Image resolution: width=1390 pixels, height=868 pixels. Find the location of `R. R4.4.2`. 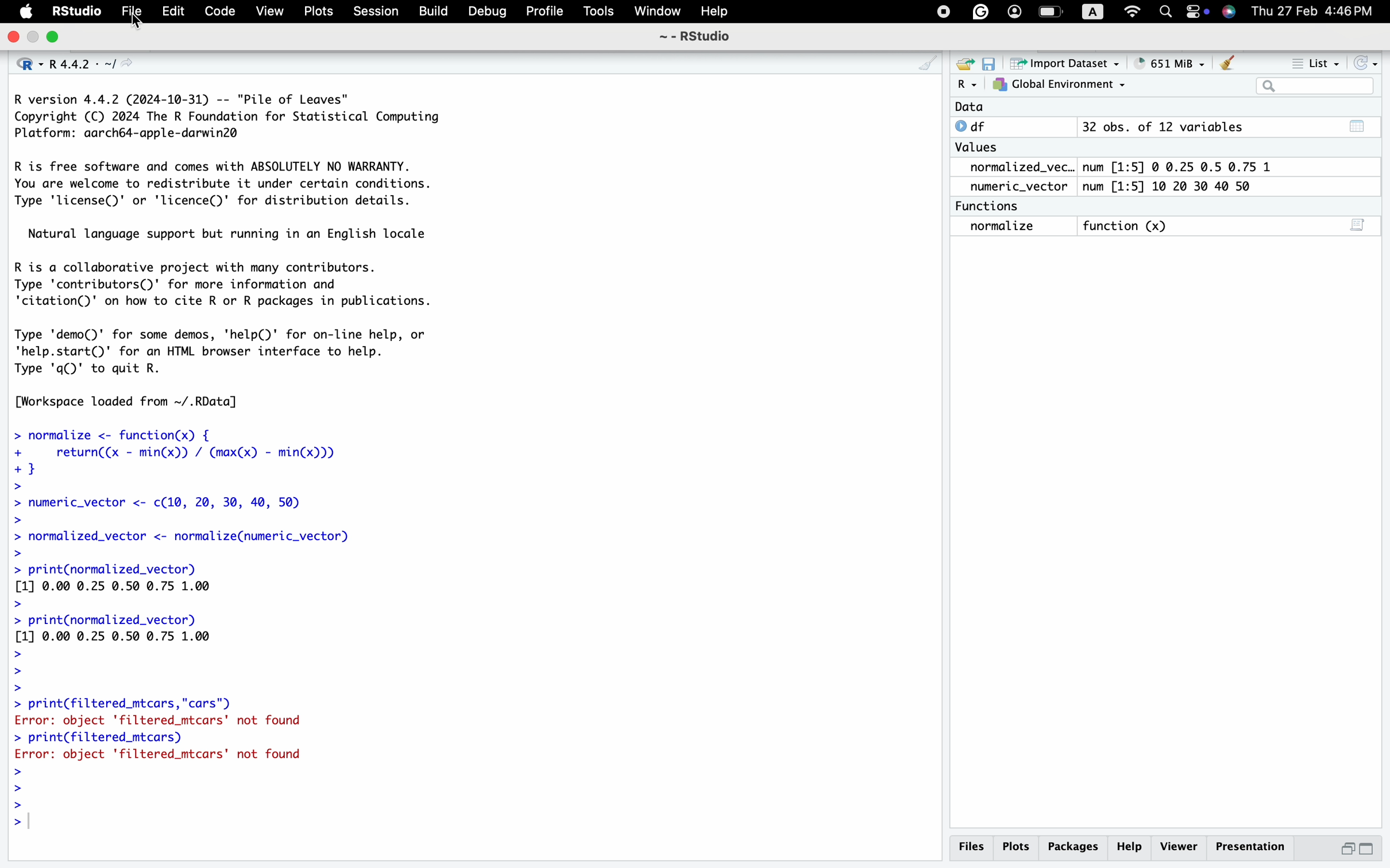

R. R4.4.2 is located at coordinates (75, 65).